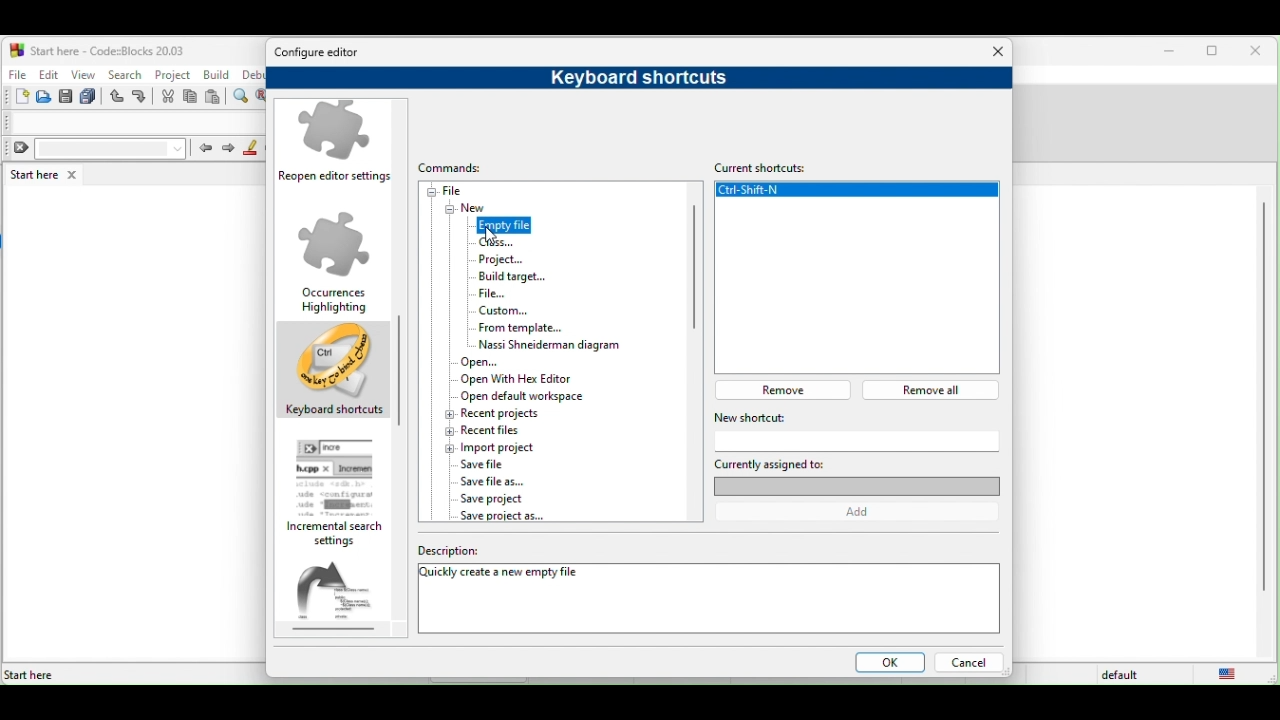 This screenshot has height=720, width=1280. What do you see at coordinates (1262, 398) in the screenshot?
I see `vertical scroll bar` at bounding box center [1262, 398].